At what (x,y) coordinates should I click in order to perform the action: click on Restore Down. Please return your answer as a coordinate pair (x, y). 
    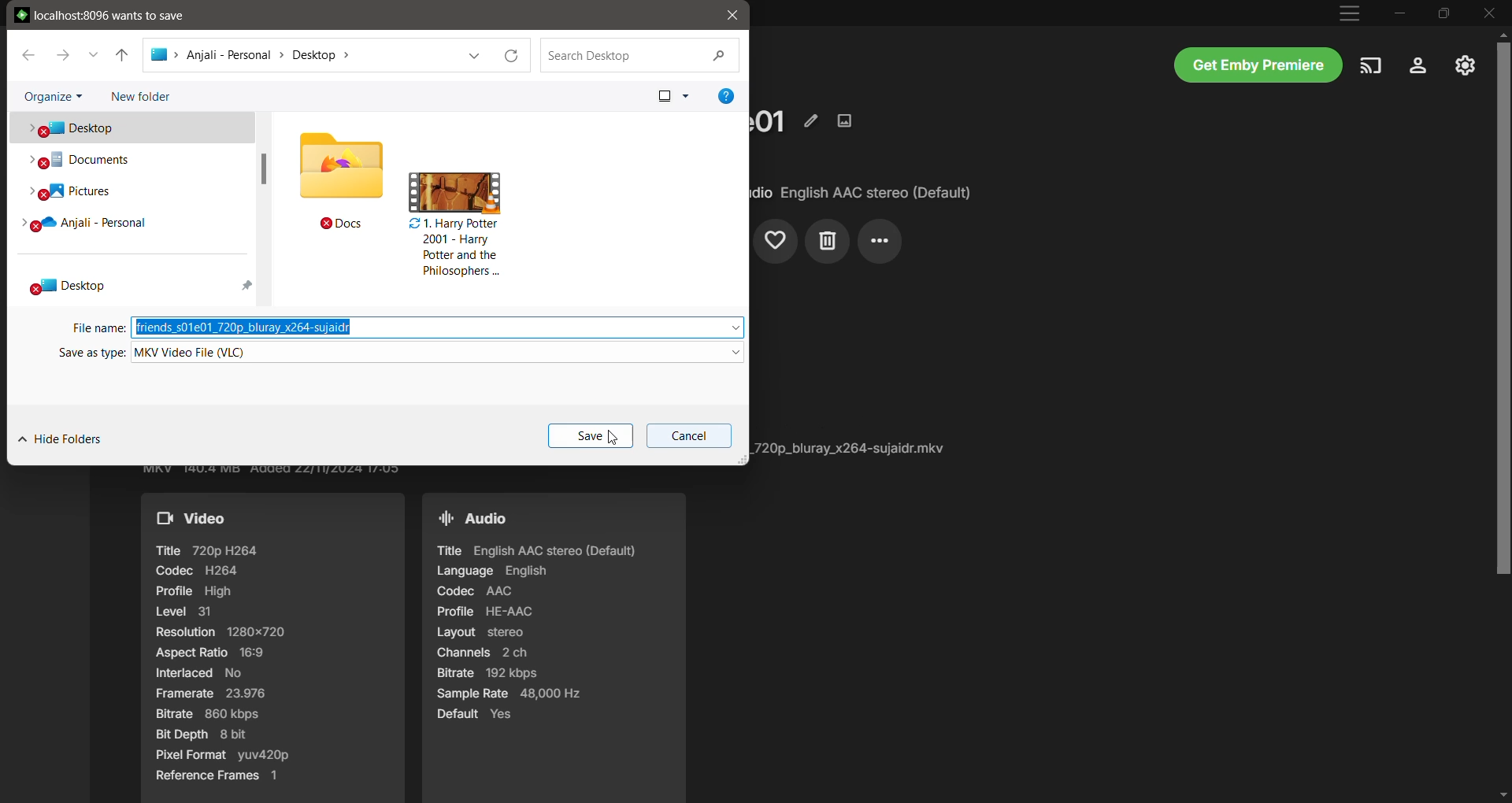
    Looking at the image, I should click on (1443, 13).